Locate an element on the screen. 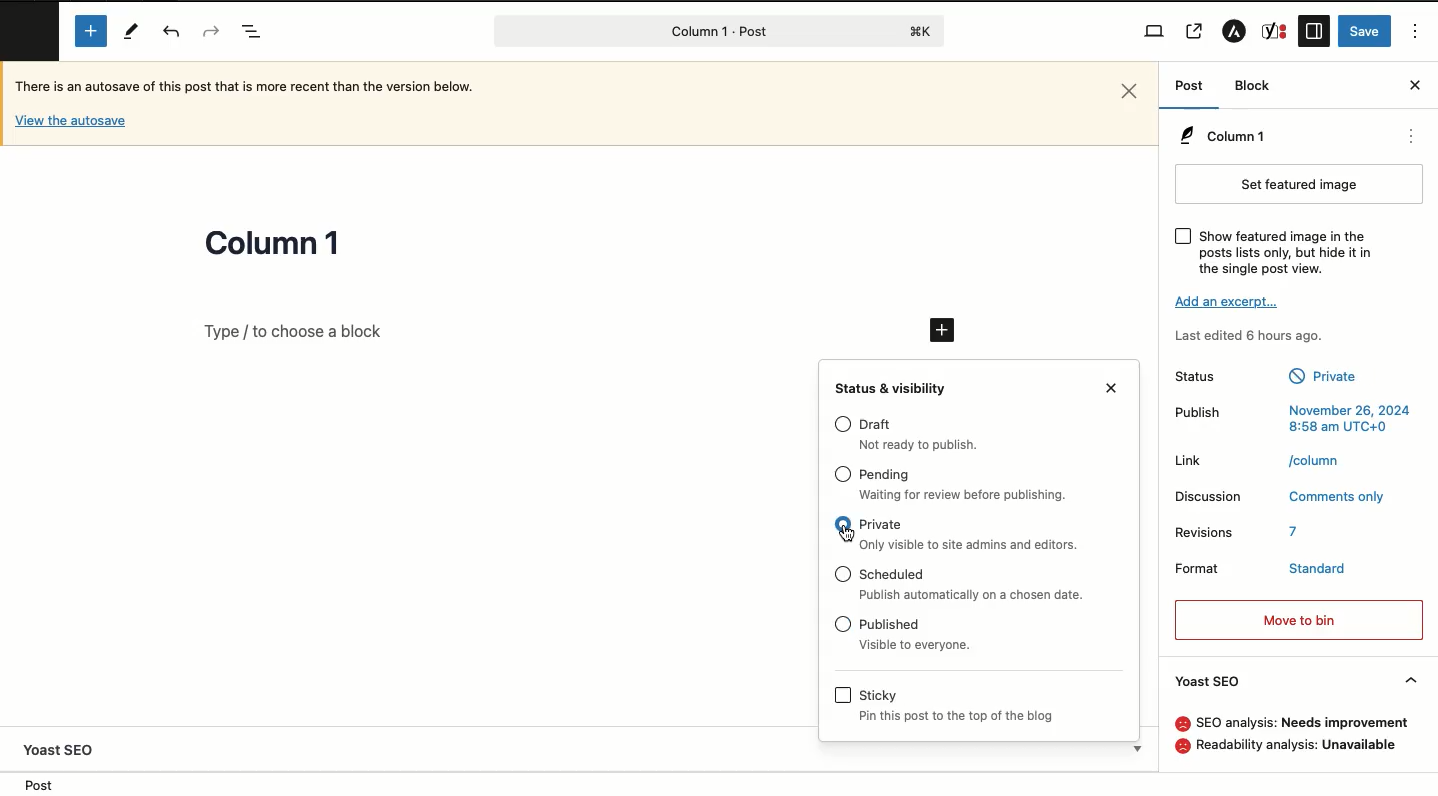 The height and width of the screenshot is (796, 1438). Checkbox is located at coordinates (843, 473).